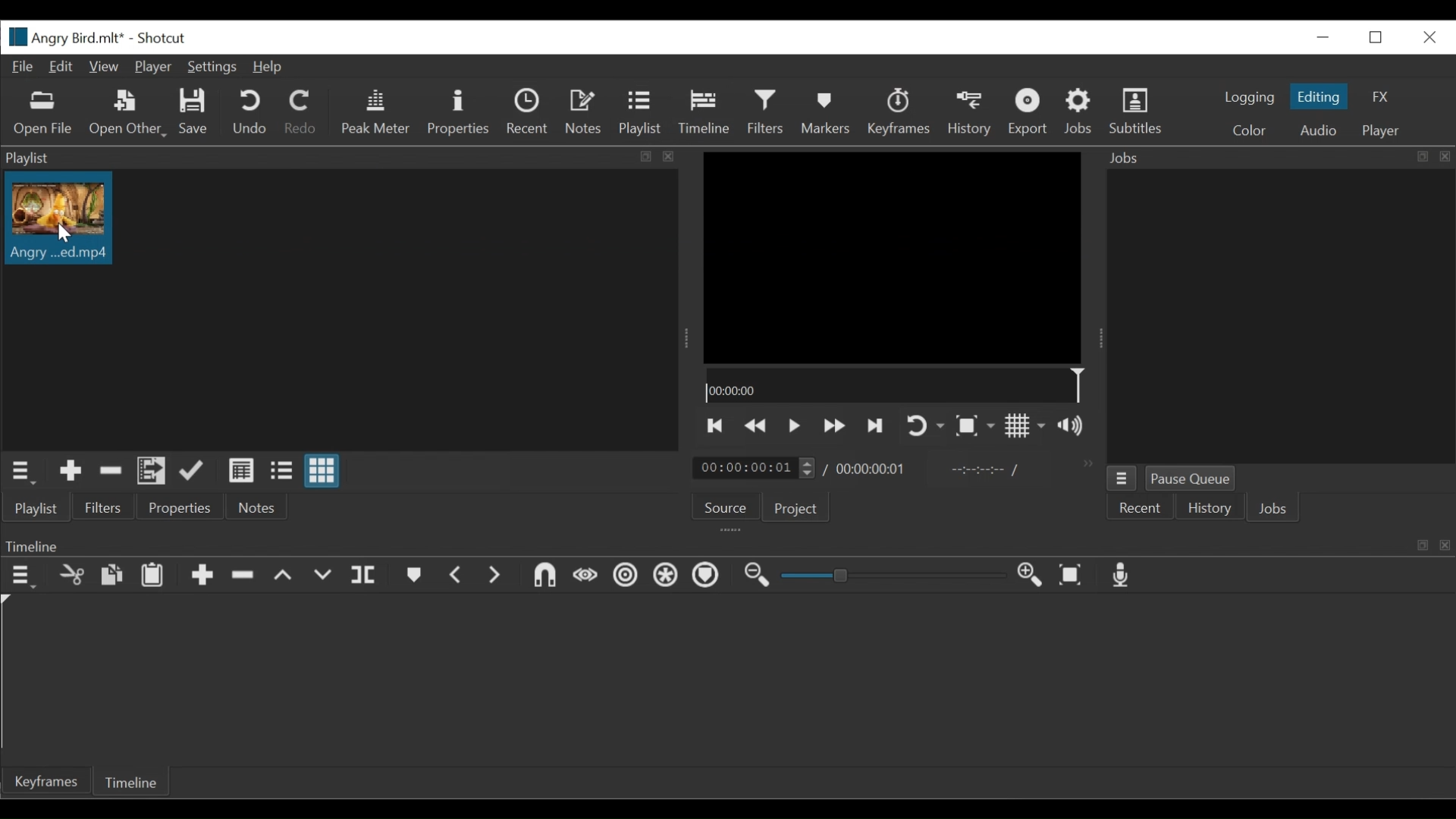 The width and height of the screenshot is (1456, 819). I want to click on Scrub while dragging, so click(588, 575).